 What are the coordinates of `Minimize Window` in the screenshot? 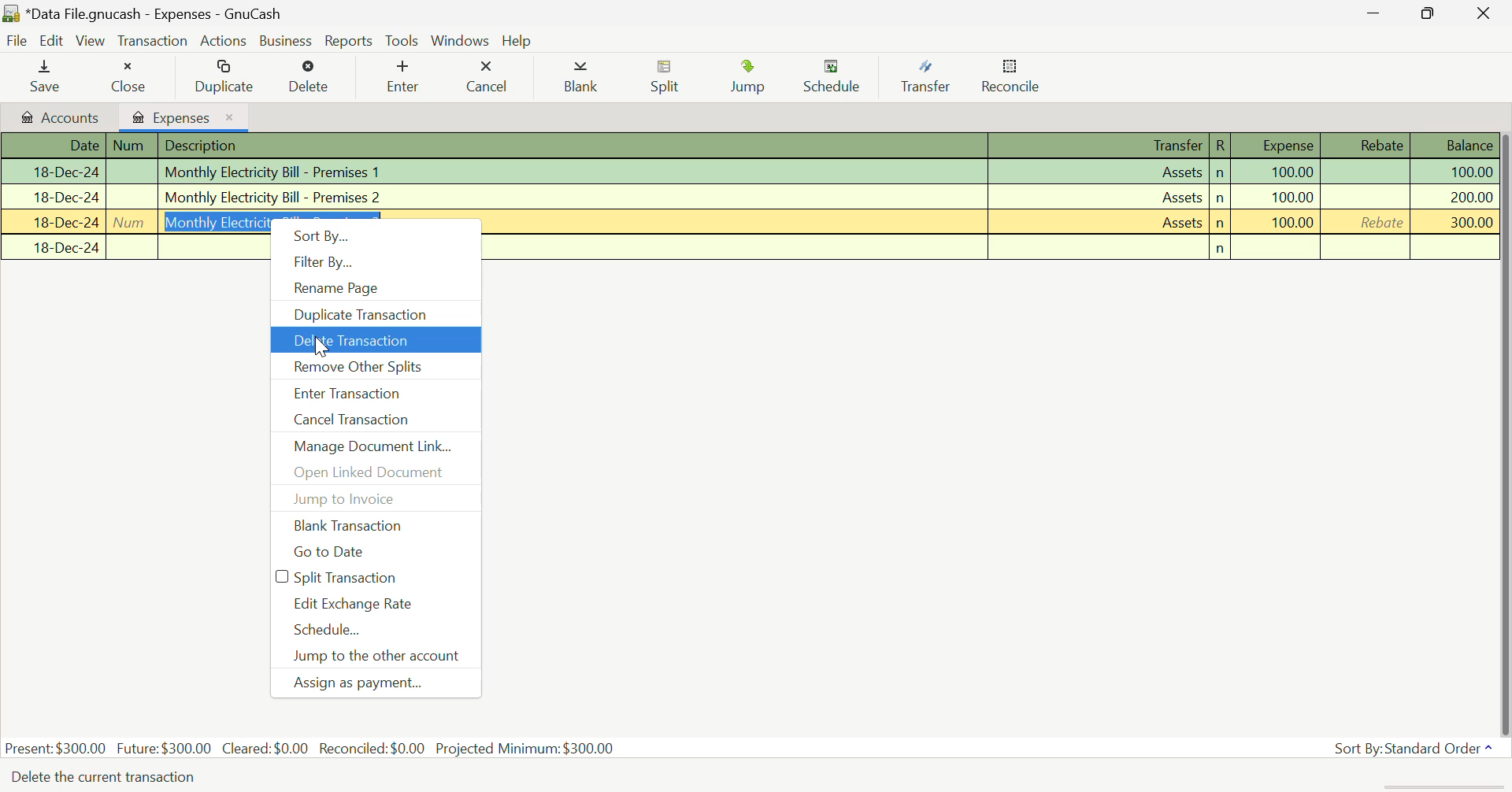 It's located at (1430, 13).